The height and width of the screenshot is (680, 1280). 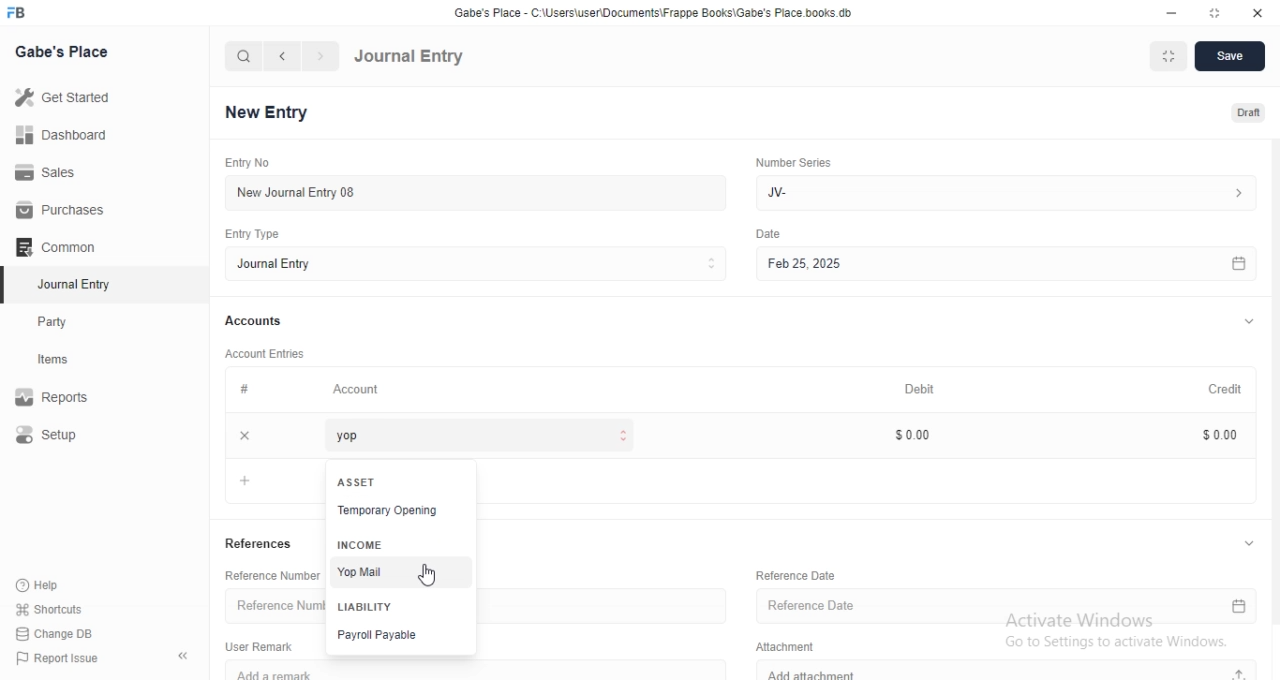 What do you see at coordinates (470, 192) in the screenshot?
I see `New Journal Entry 08` at bounding box center [470, 192].